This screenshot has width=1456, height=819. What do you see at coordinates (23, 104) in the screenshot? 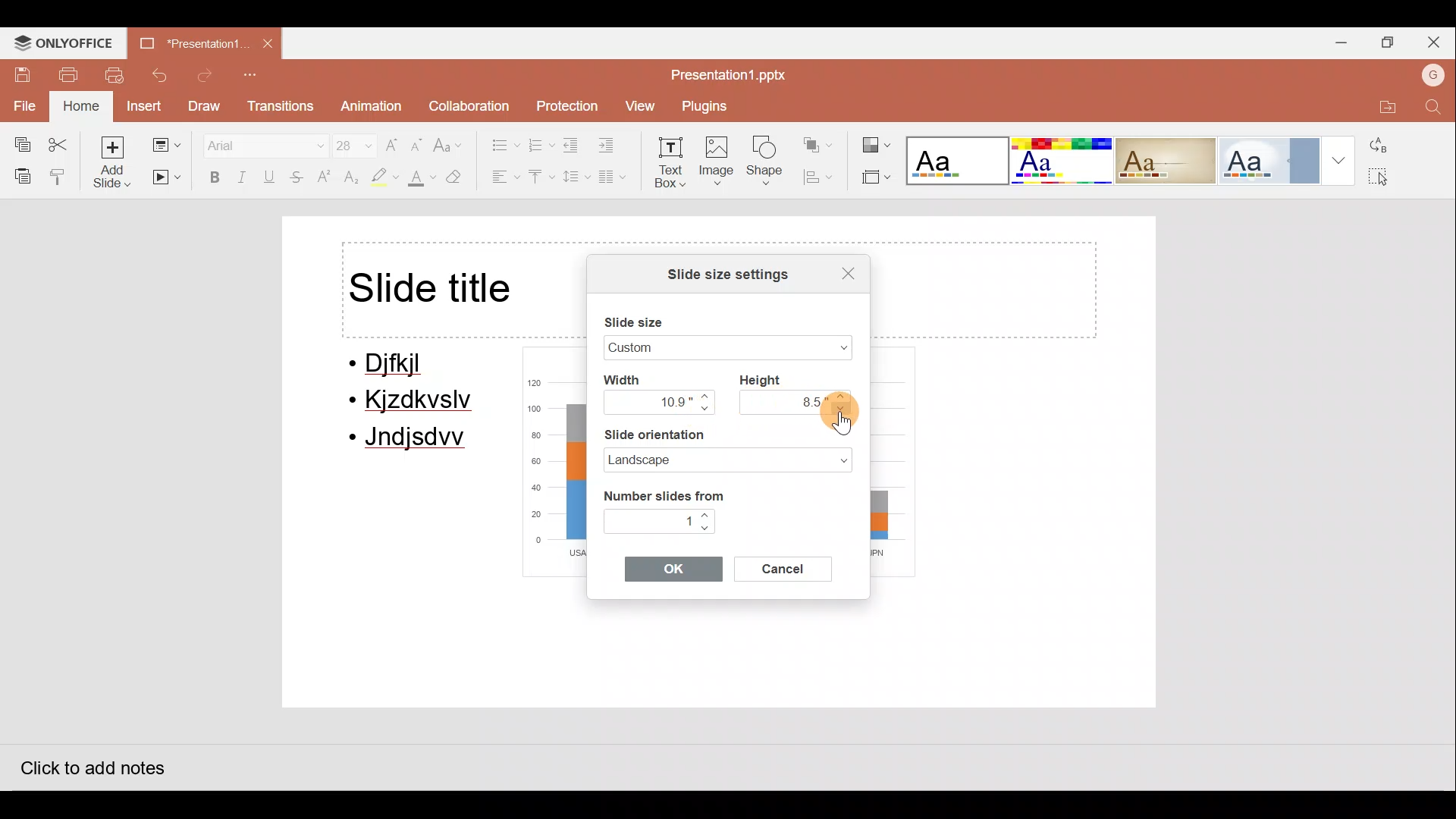
I see `File` at bounding box center [23, 104].